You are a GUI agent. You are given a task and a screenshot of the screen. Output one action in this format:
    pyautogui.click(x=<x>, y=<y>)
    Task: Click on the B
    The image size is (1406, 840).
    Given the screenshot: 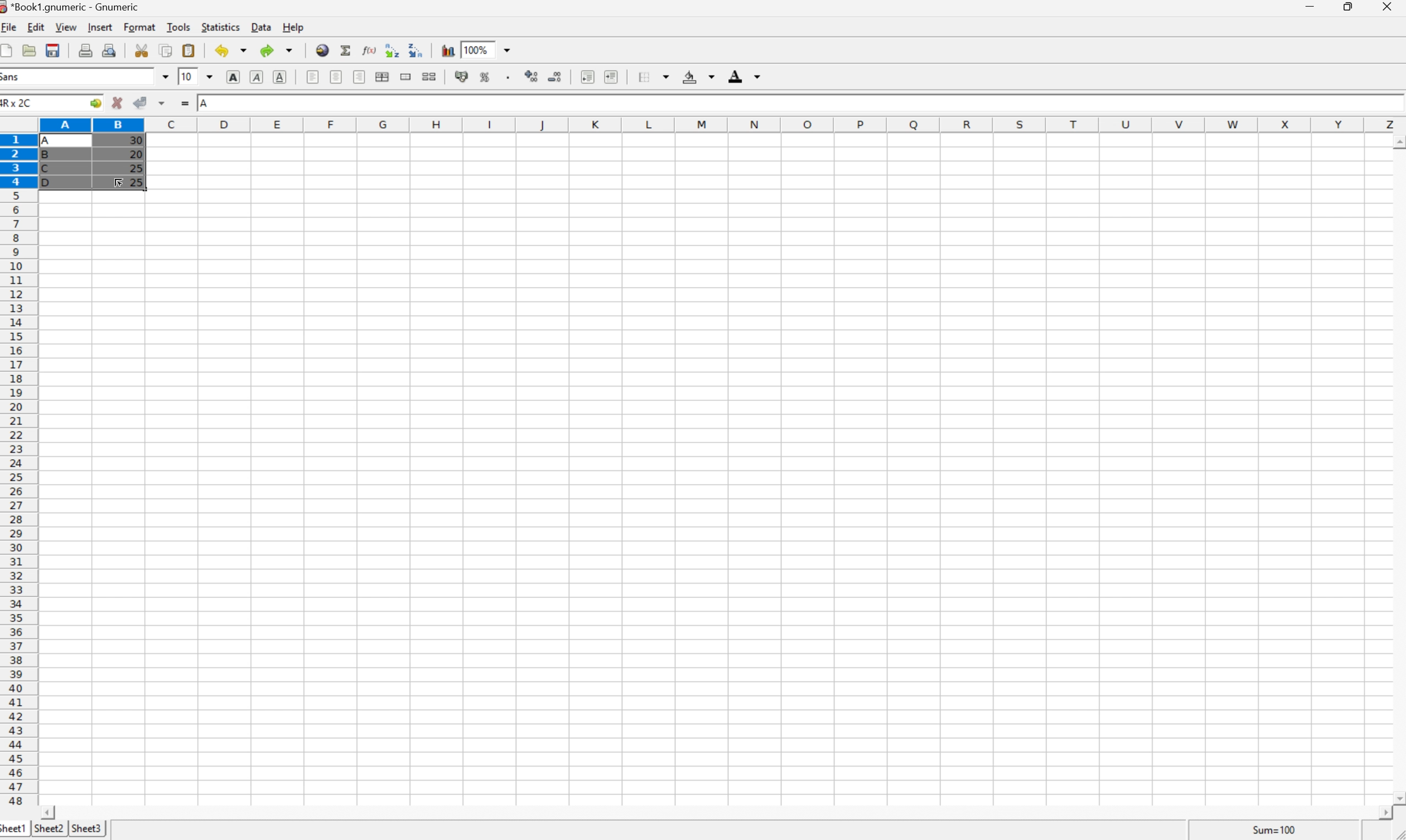 What is the action you would take?
    pyautogui.click(x=49, y=156)
    